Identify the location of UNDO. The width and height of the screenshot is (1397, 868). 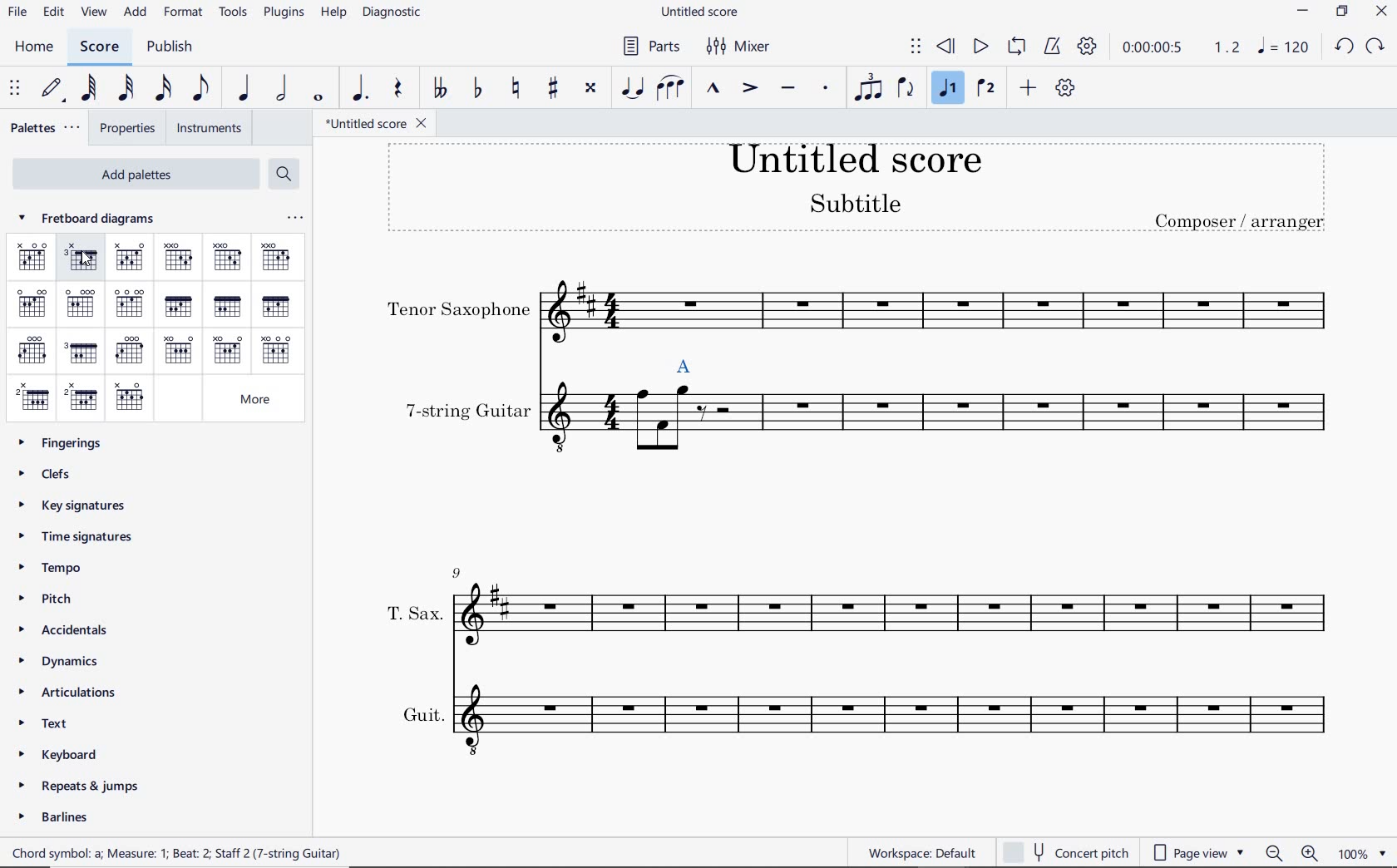
(1342, 47).